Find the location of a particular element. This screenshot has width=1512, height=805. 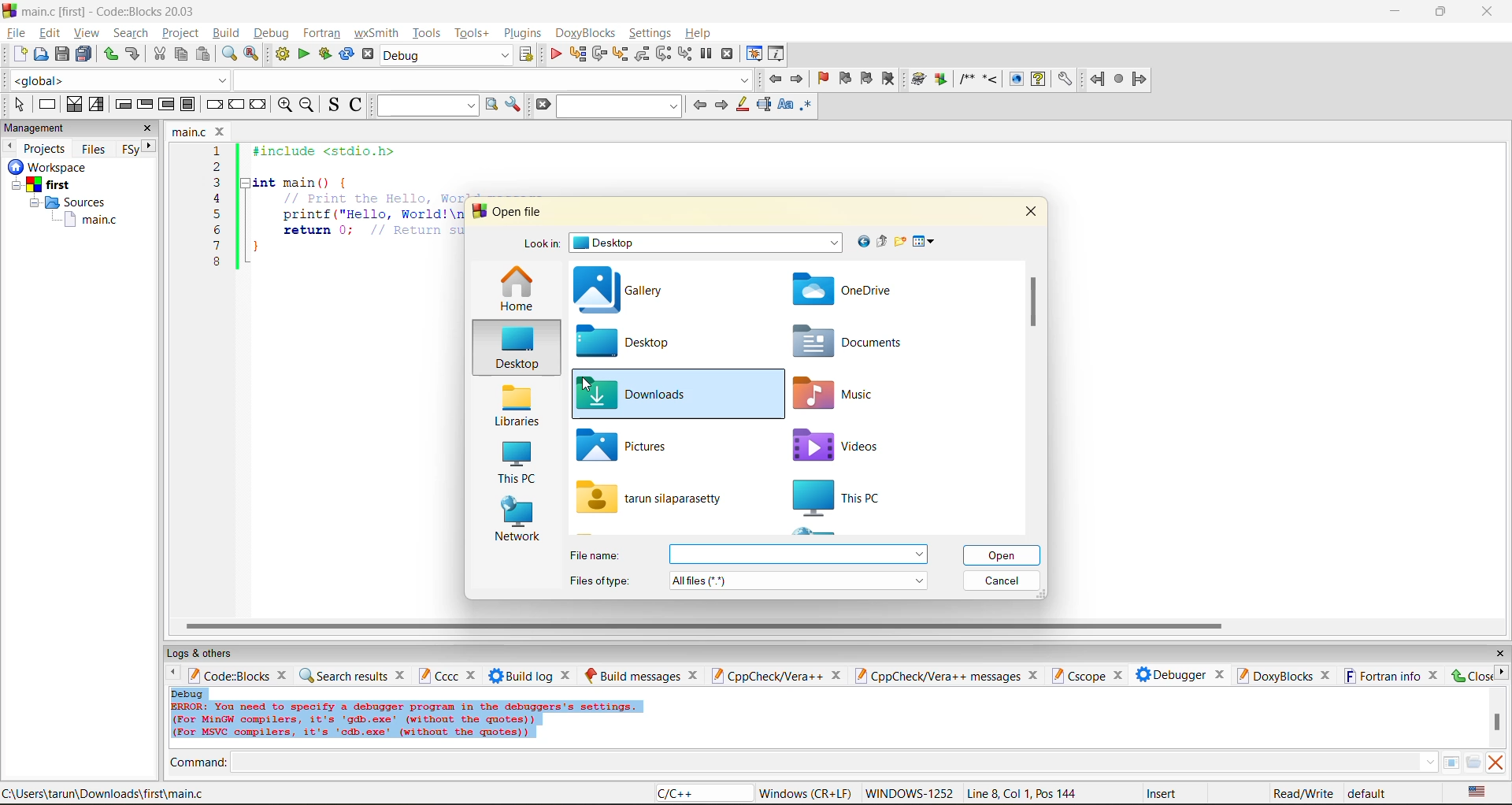

first project is located at coordinates (43, 185).